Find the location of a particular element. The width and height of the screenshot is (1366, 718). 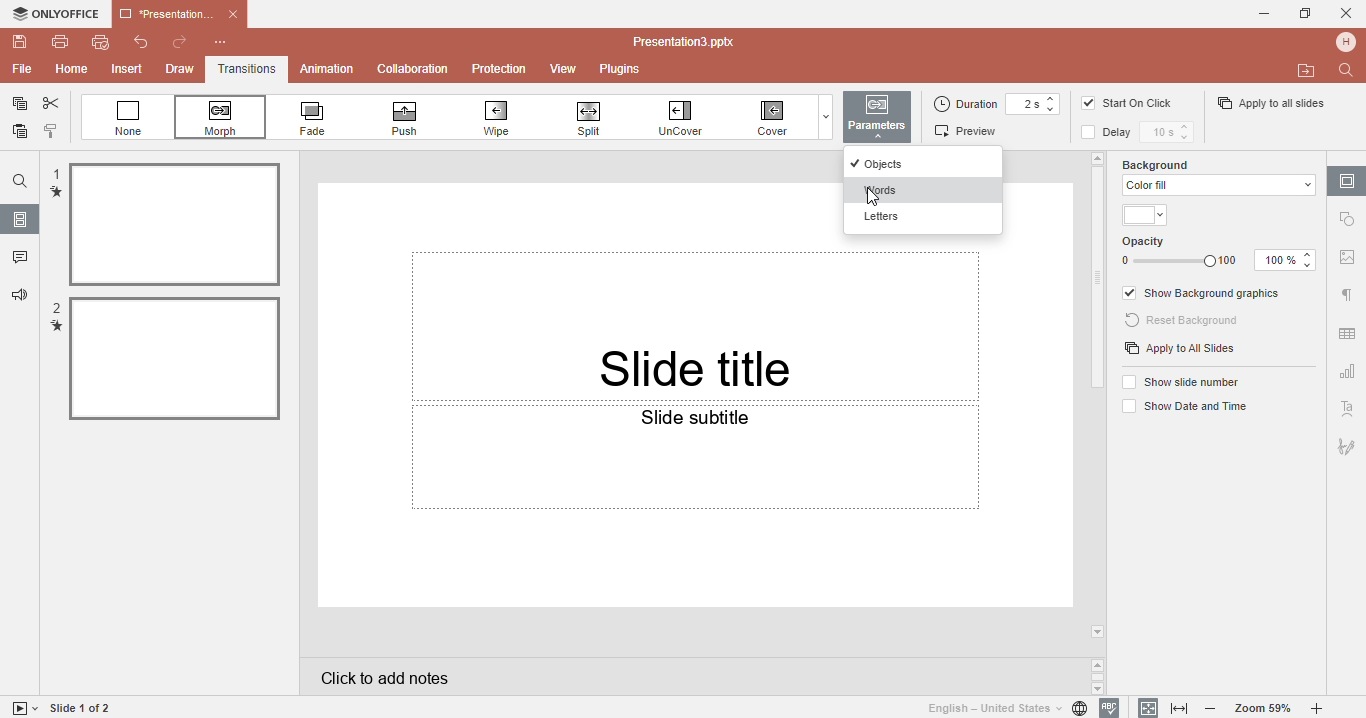

Themes color is located at coordinates (1147, 216).